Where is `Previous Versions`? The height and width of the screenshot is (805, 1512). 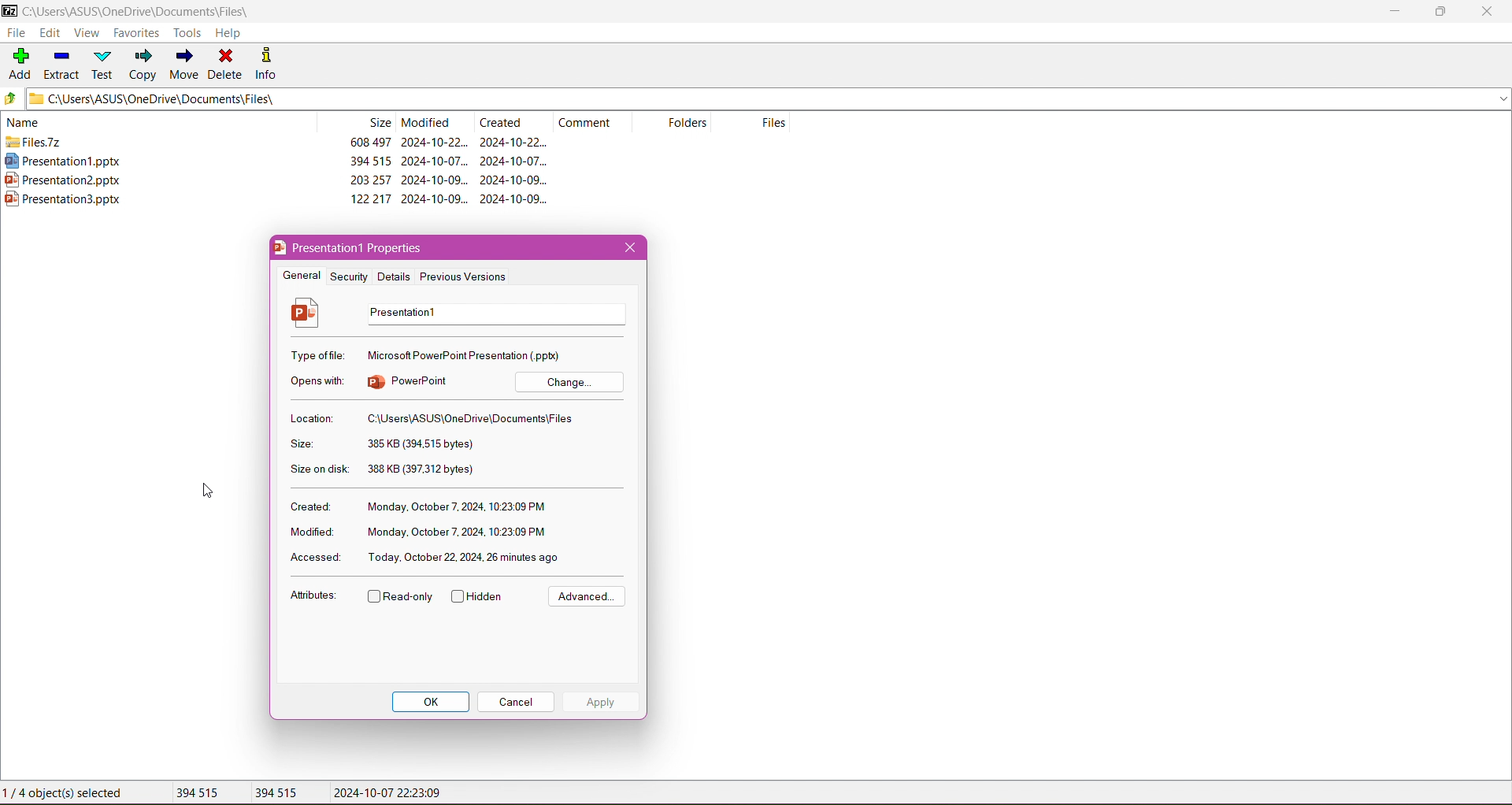
Previous Versions is located at coordinates (472, 276).